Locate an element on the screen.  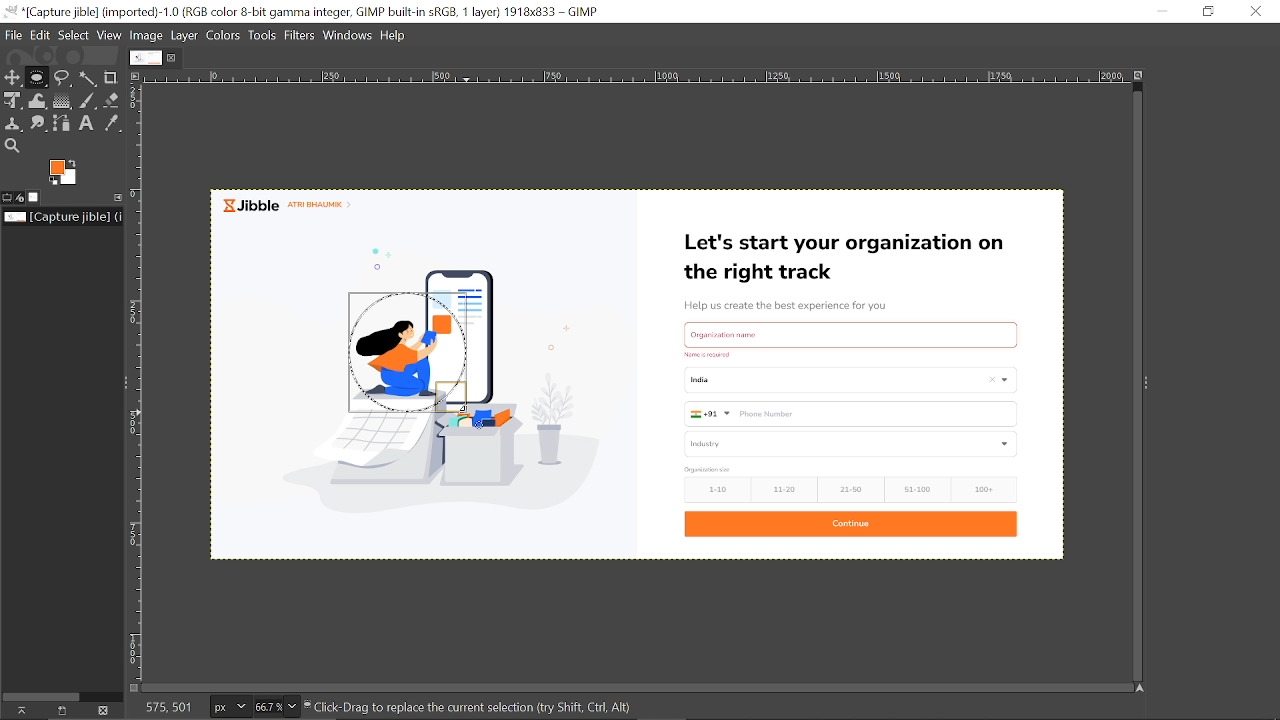
Eraser tool is located at coordinates (114, 100).